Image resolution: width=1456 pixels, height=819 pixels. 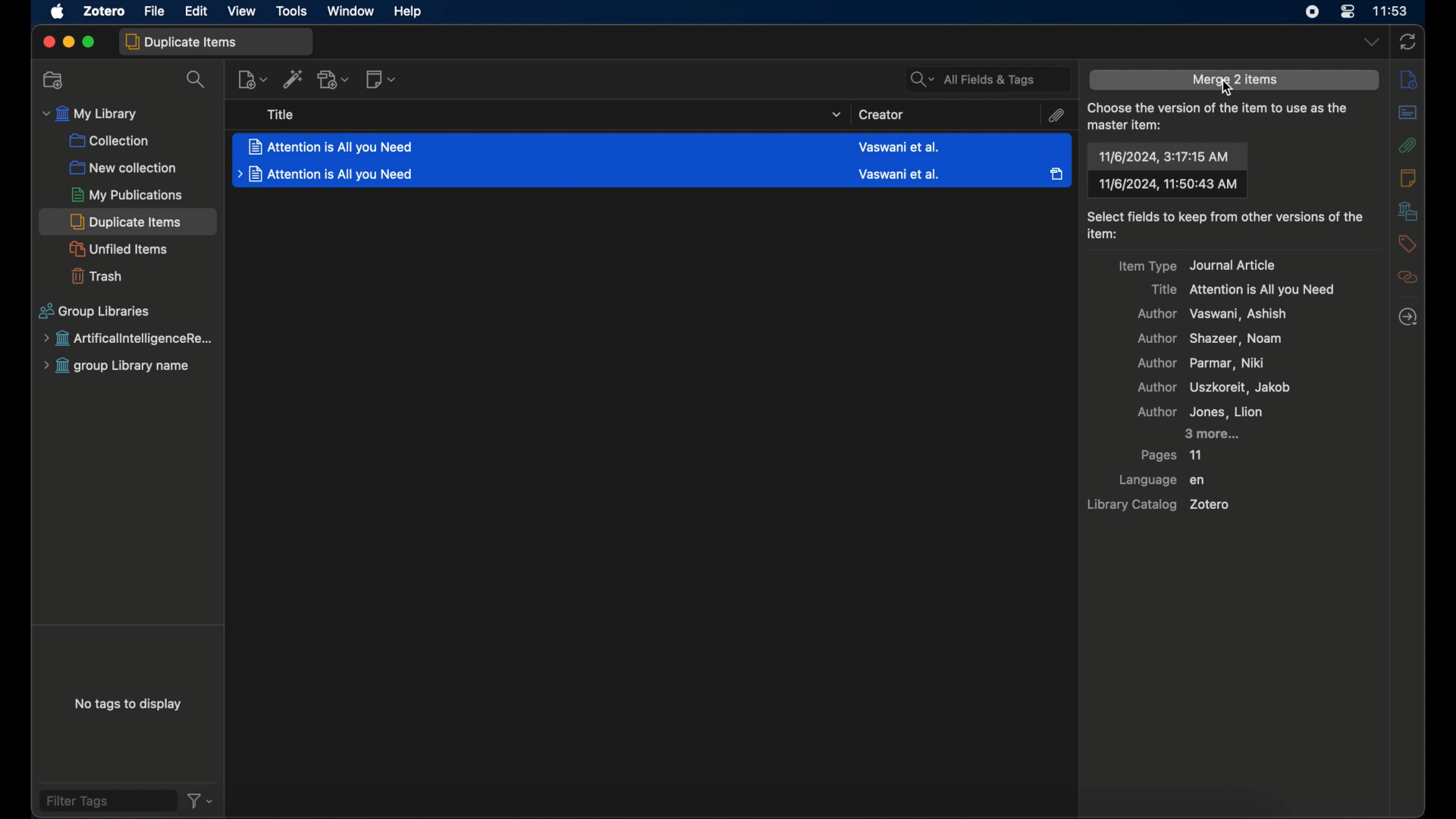 What do you see at coordinates (1201, 363) in the screenshot?
I see `author parma, niki` at bounding box center [1201, 363].